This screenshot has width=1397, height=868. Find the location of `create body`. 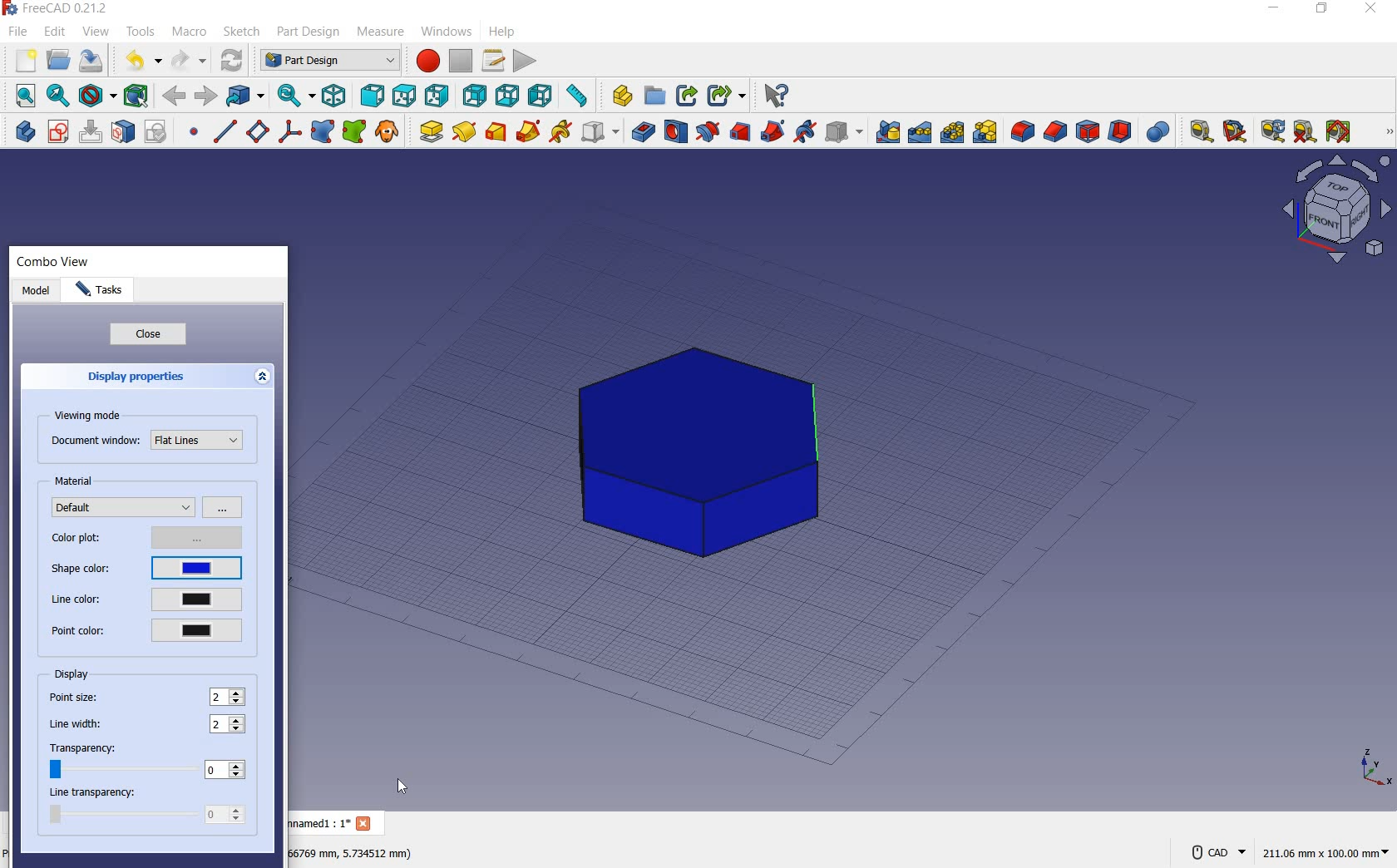

create body is located at coordinates (22, 129).